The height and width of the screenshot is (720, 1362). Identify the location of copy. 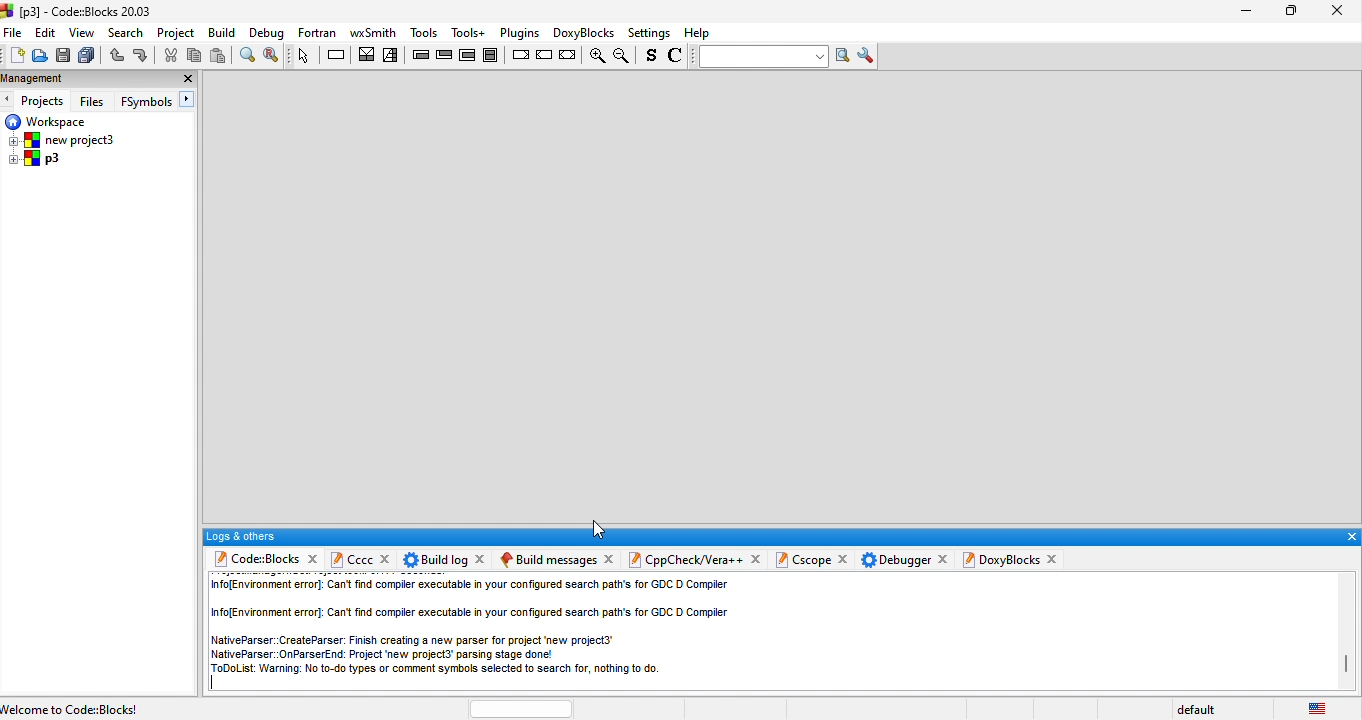
(194, 56).